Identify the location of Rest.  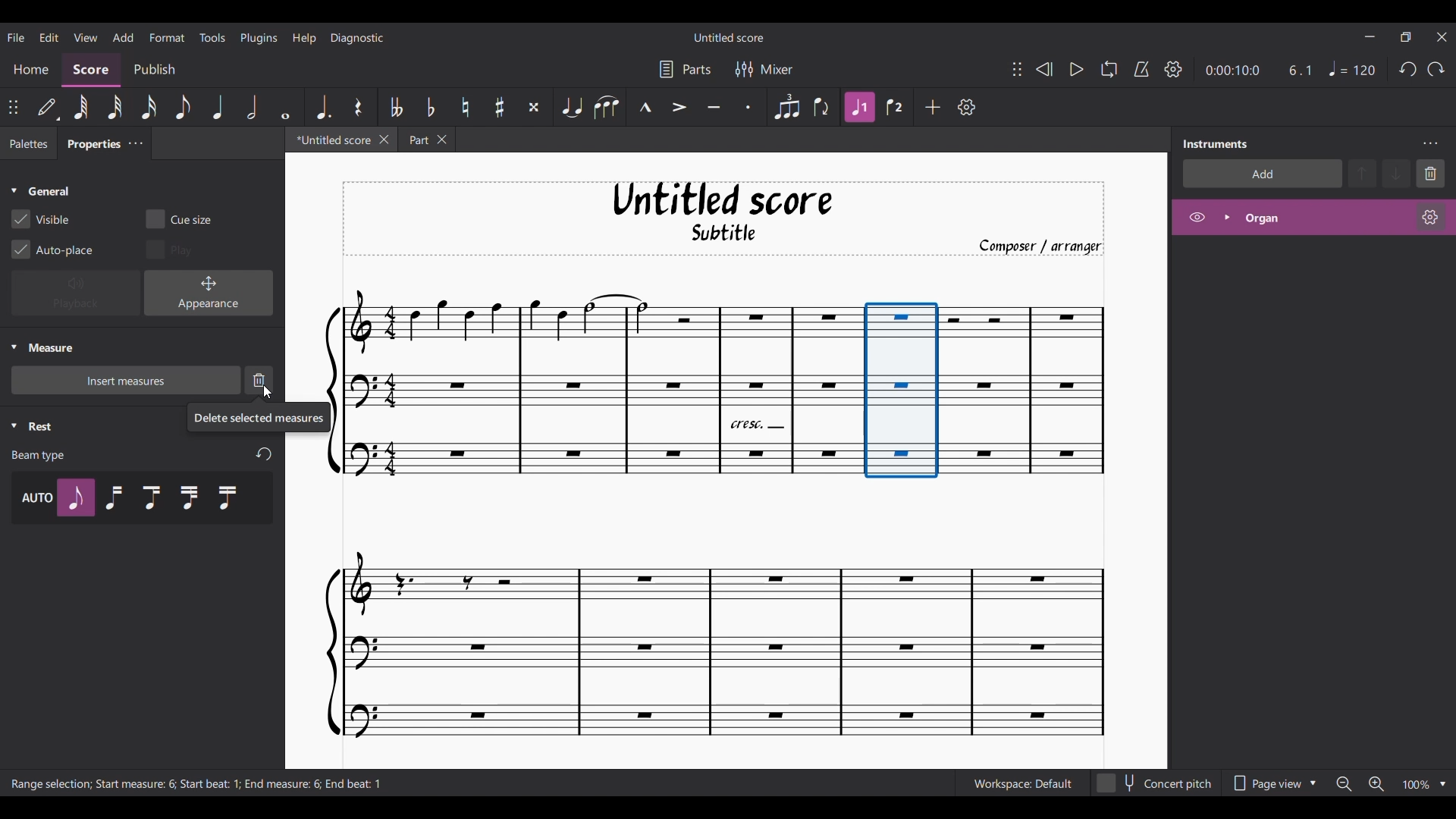
(358, 107).